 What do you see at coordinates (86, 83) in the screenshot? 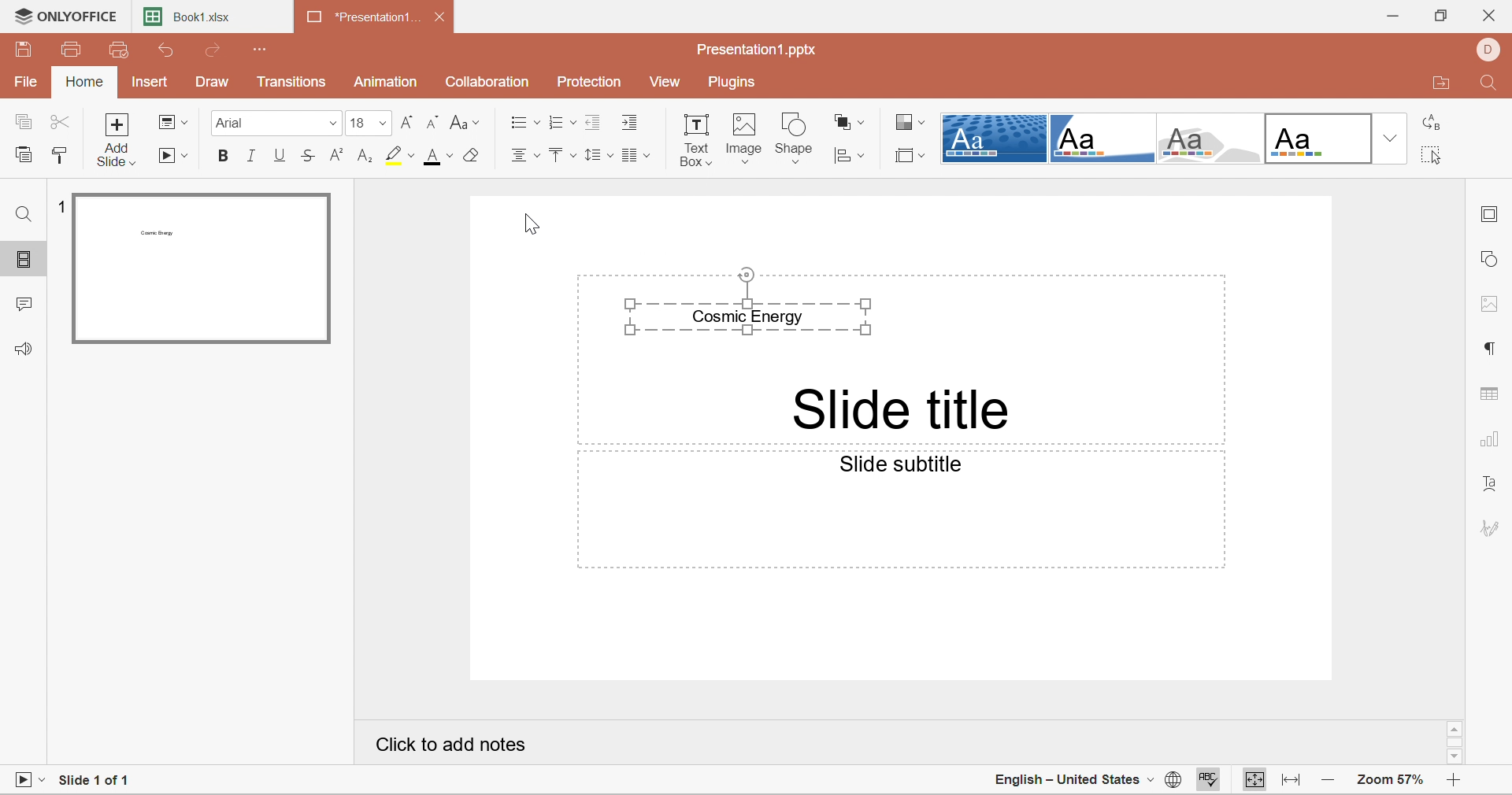
I see `Home` at bounding box center [86, 83].